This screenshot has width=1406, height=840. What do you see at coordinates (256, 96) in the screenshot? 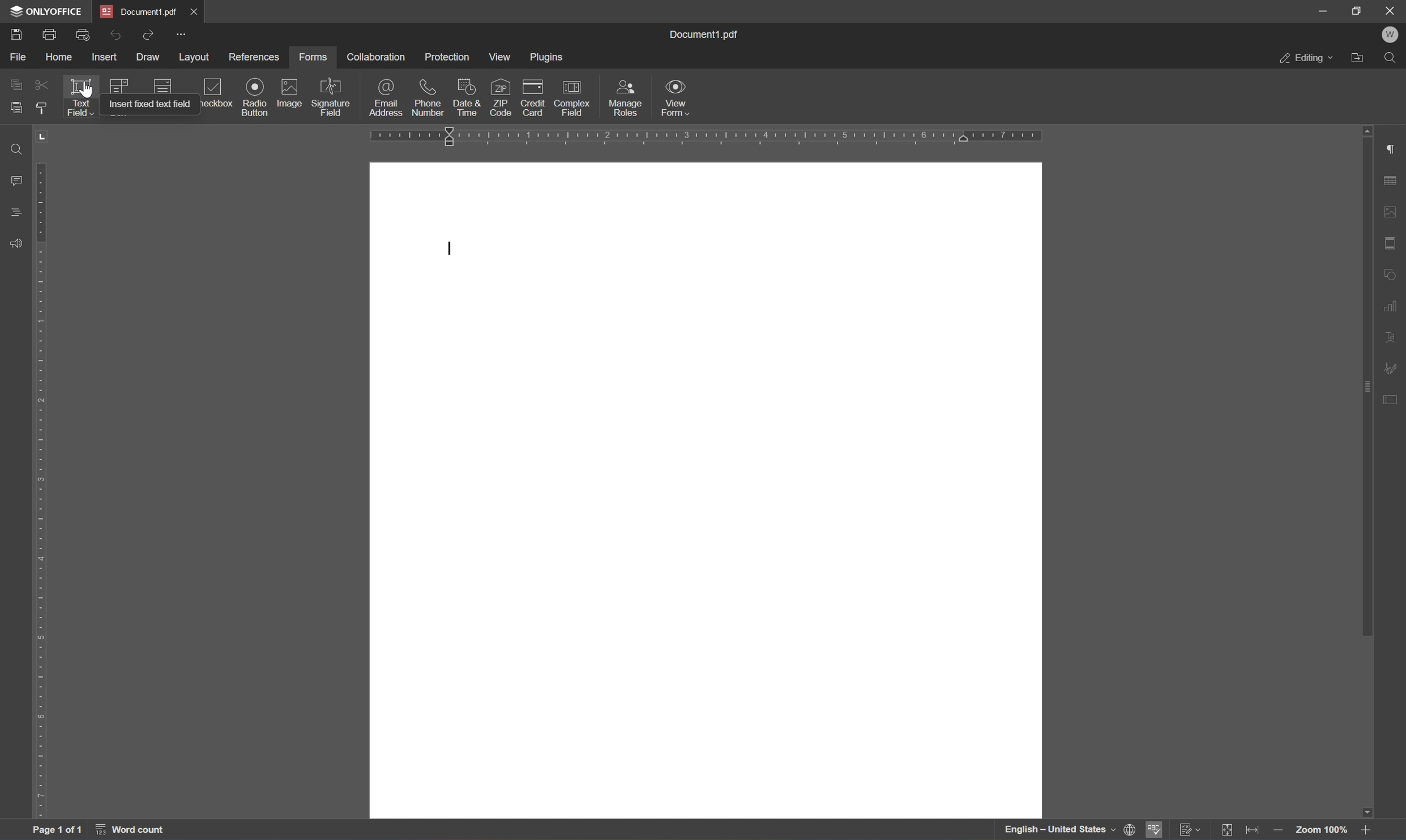
I see `radio button` at bounding box center [256, 96].